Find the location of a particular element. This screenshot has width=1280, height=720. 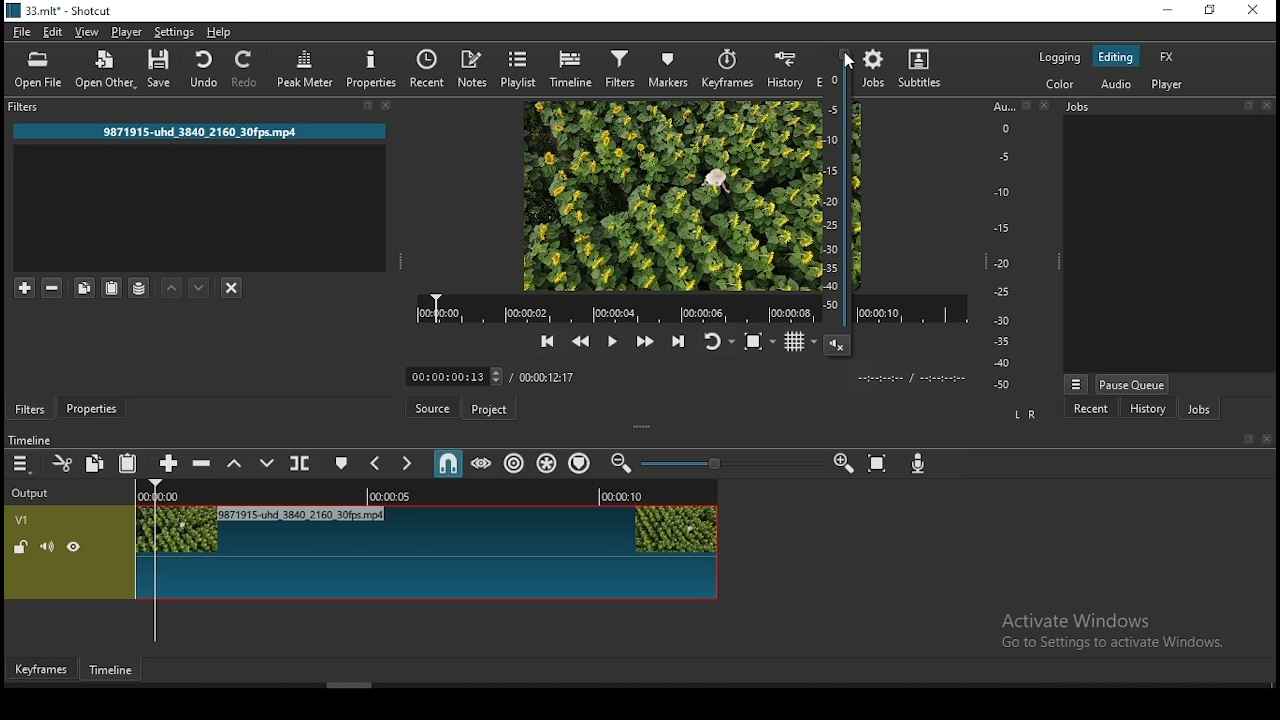

filters is located at coordinates (621, 70).